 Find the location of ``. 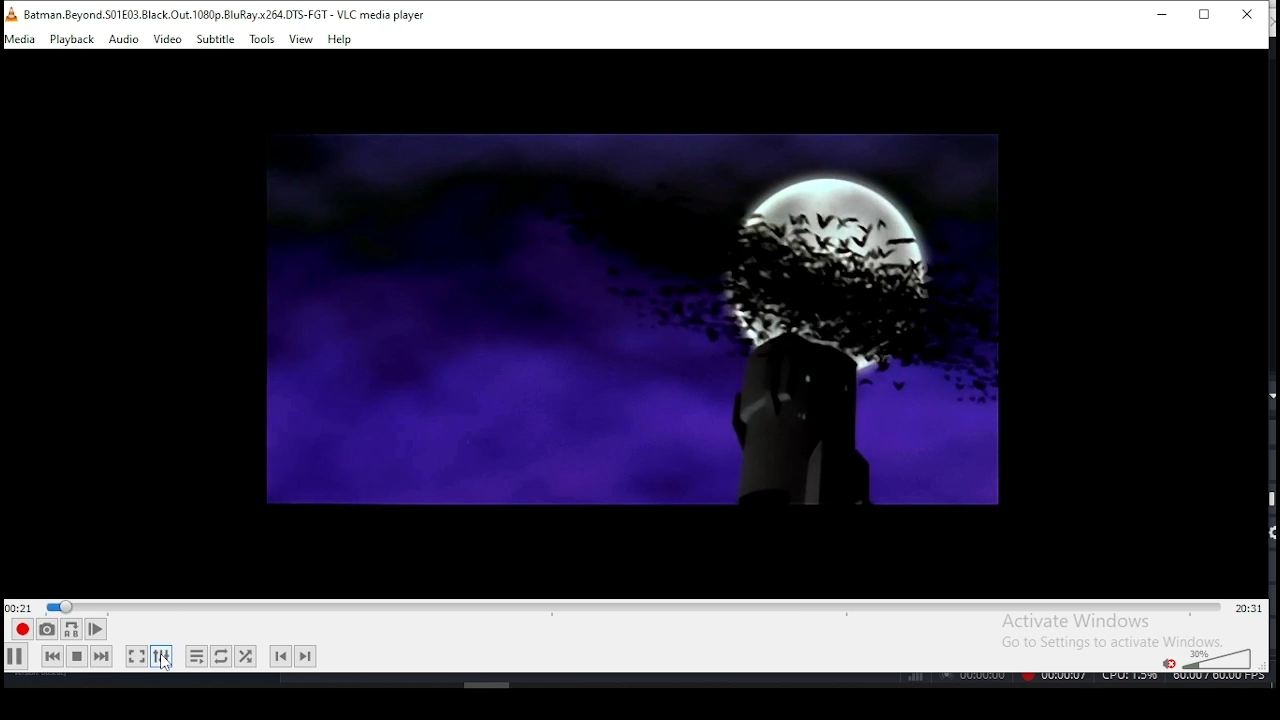

 is located at coordinates (631, 324).